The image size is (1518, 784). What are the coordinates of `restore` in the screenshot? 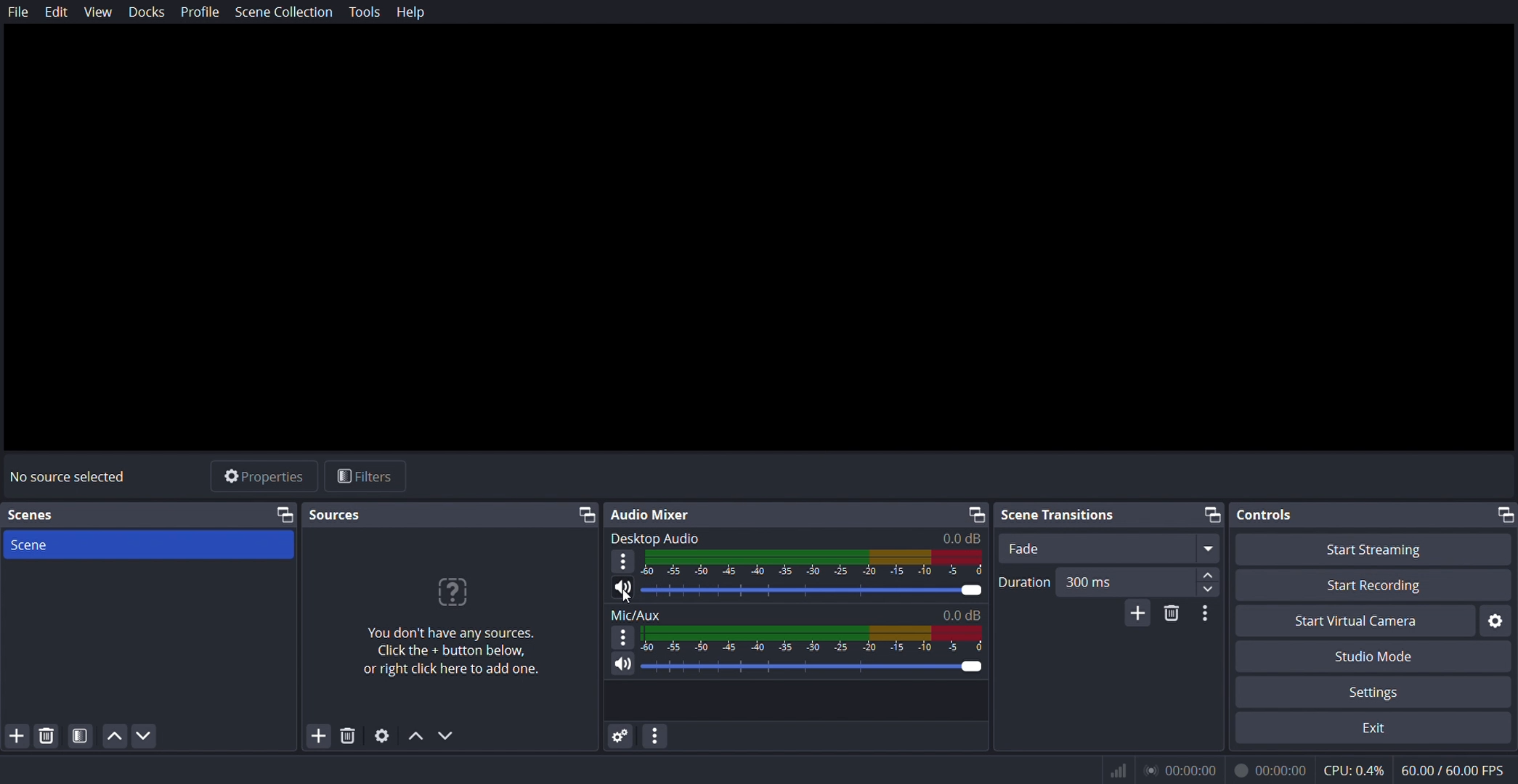 It's located at (1500, 515).